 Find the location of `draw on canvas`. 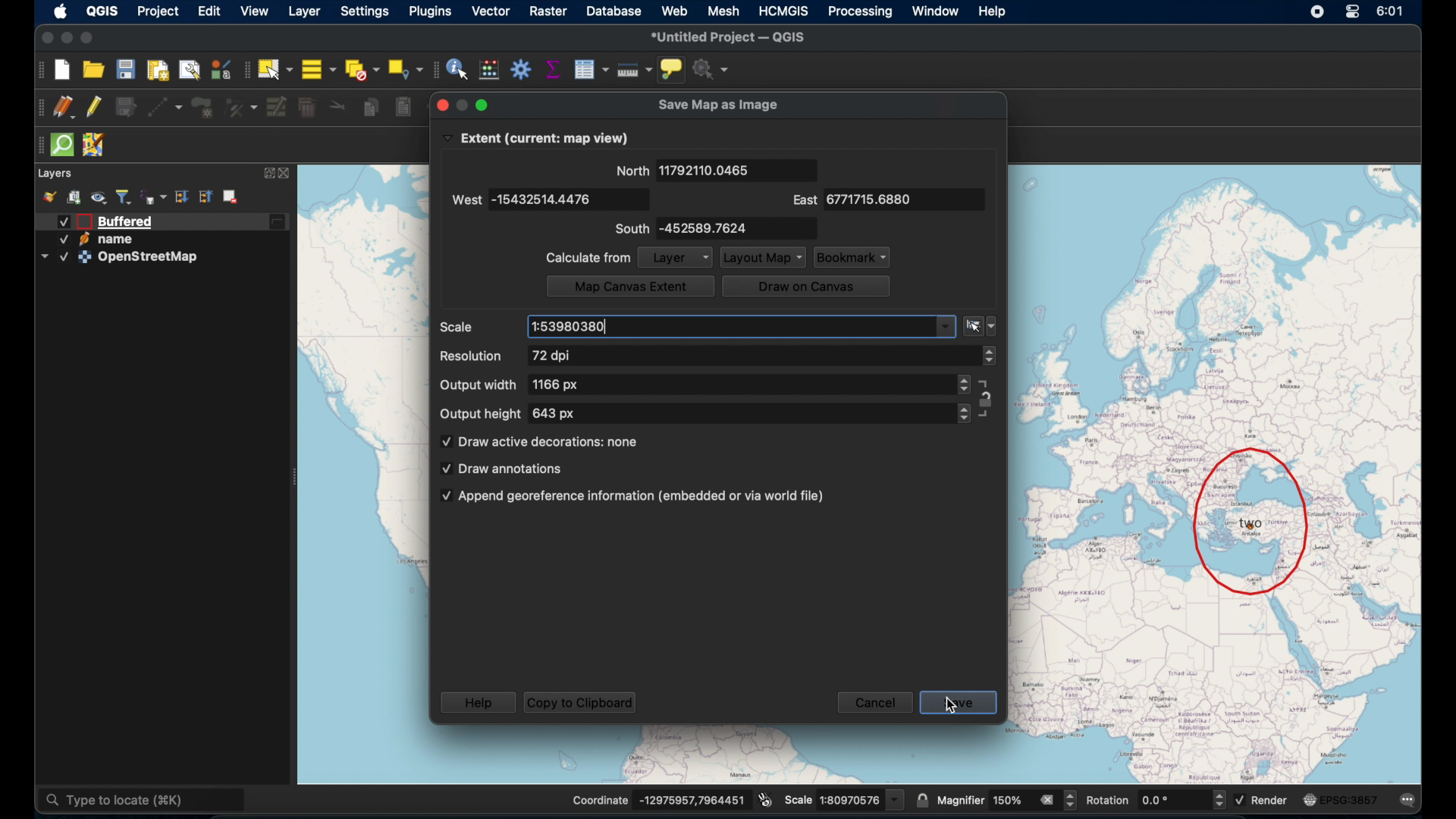

draw on canvas is located at coordinates (805, 287).